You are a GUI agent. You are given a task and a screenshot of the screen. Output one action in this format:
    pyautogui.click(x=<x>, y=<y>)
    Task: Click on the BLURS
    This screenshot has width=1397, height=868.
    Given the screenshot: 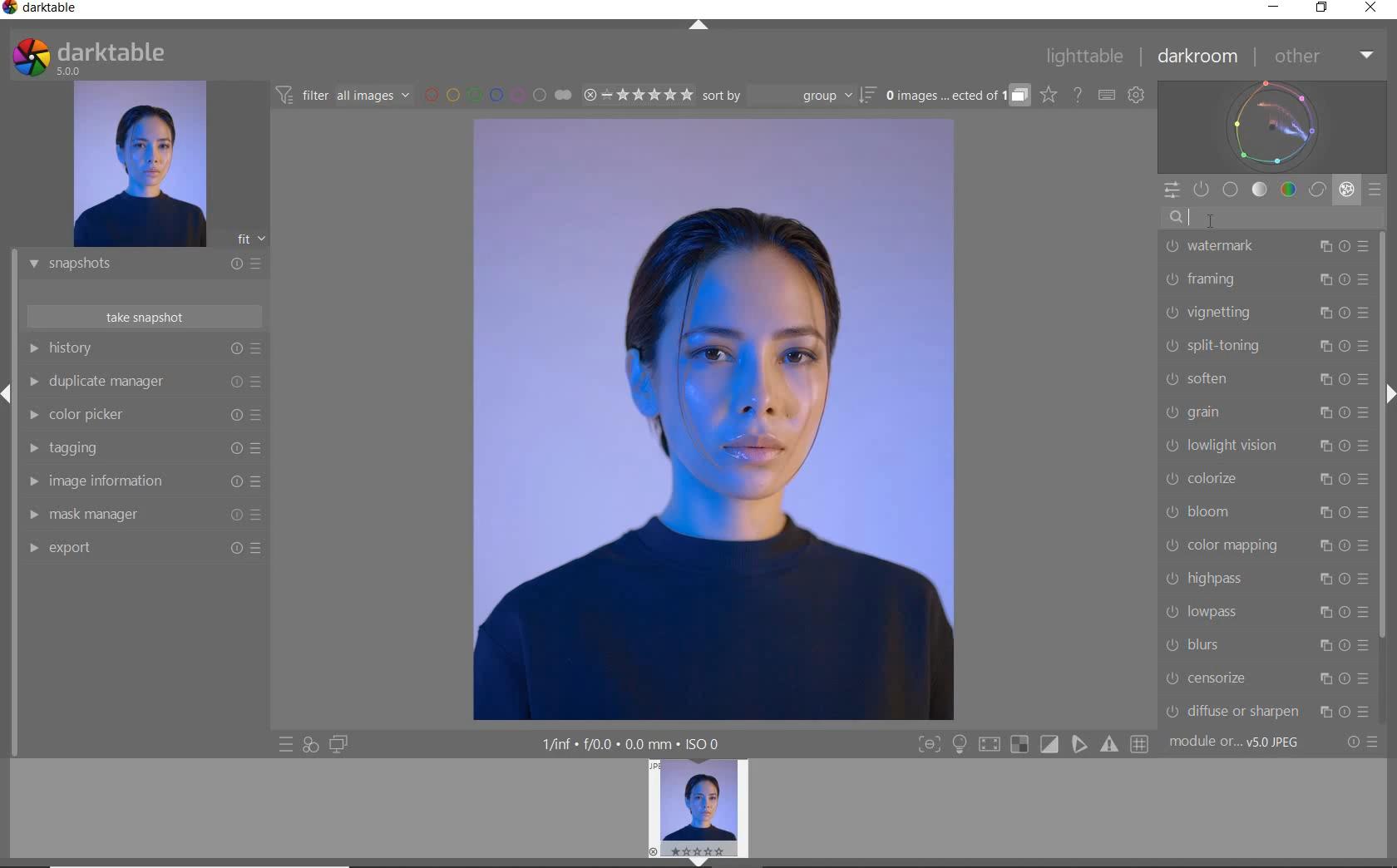 What is the action you would take?
    pyautogui.click(x=1266, y=645)
    